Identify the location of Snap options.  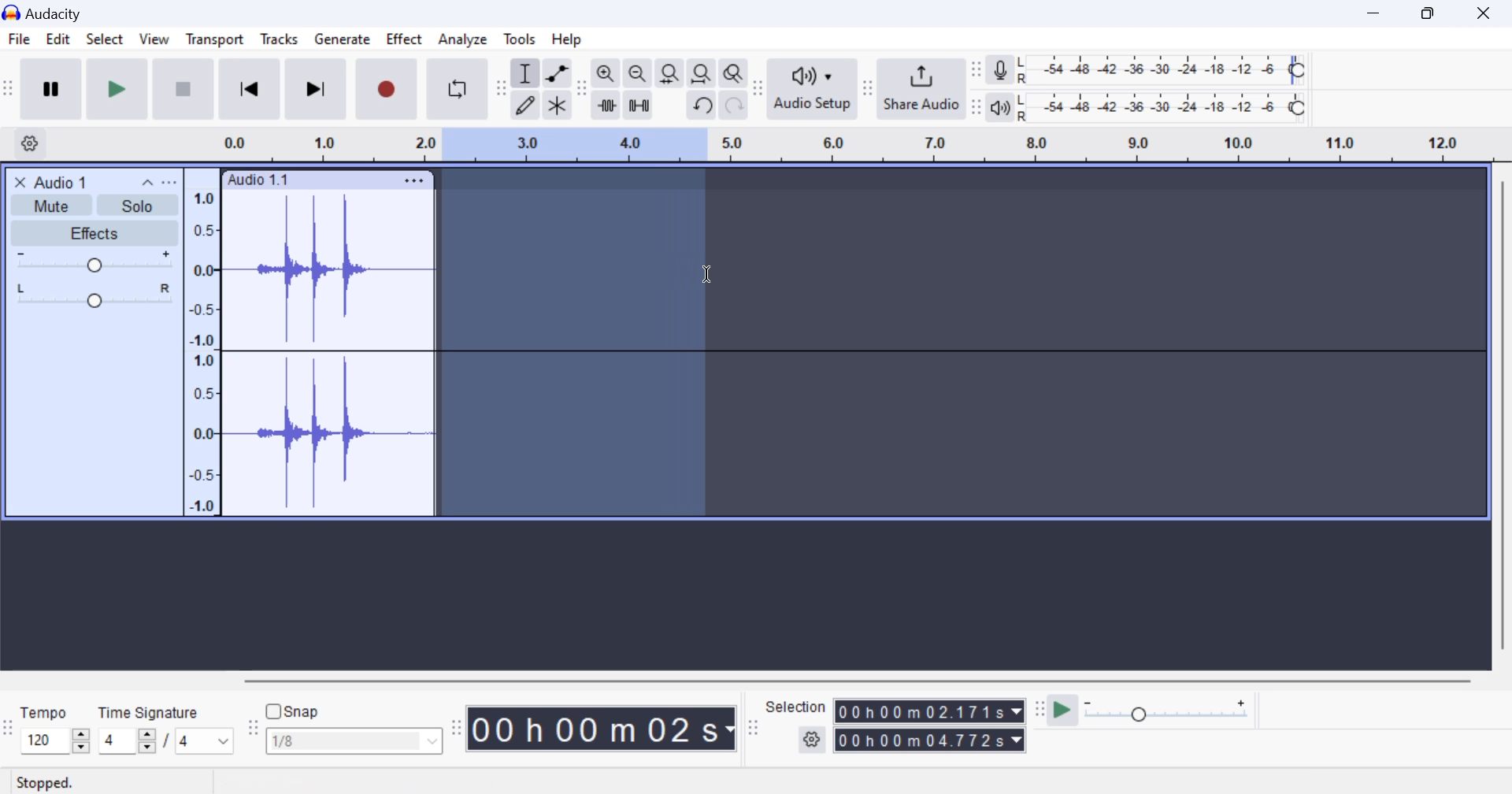
(356, 744).